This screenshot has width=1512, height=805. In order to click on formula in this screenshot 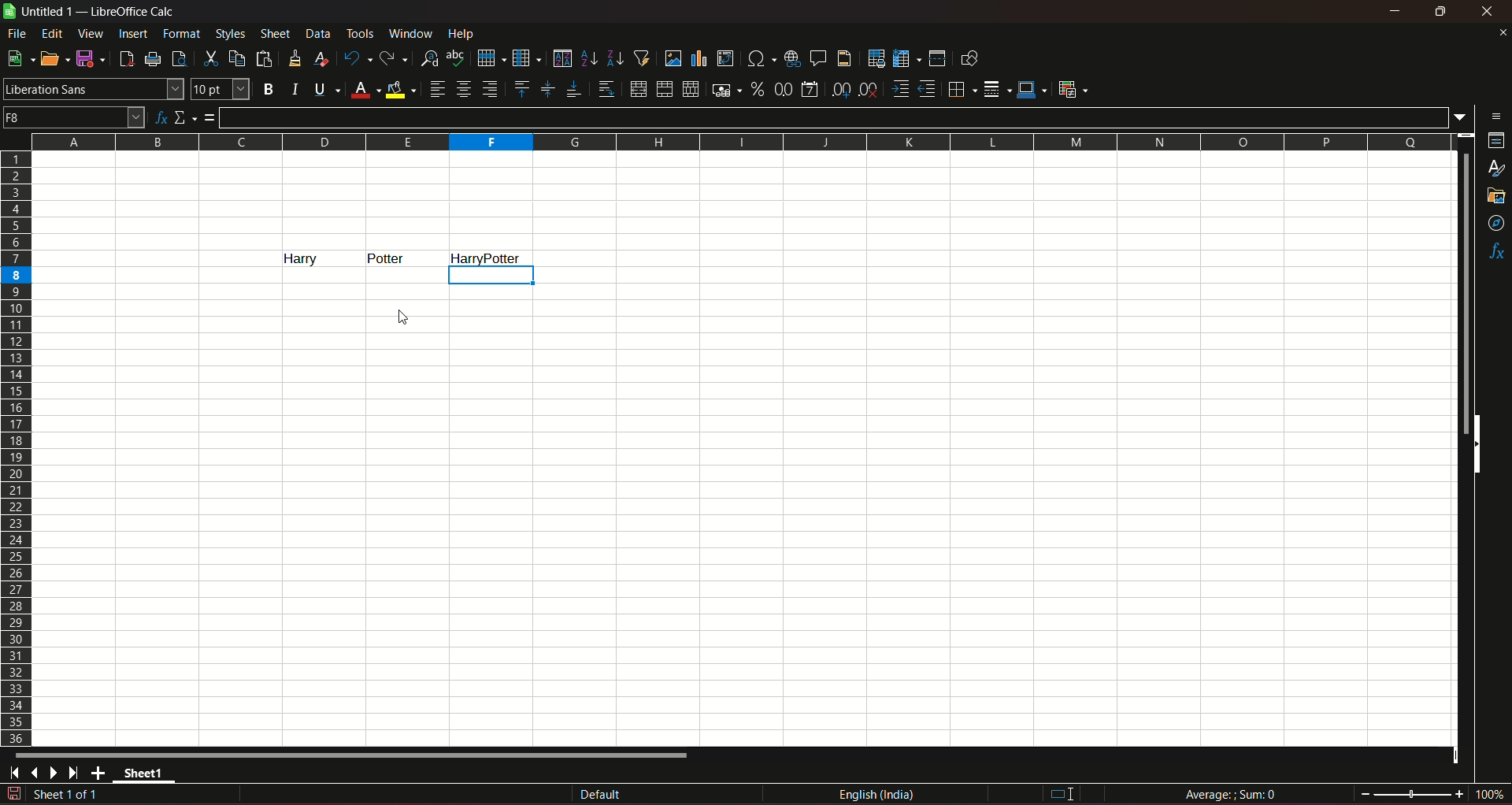, I will do `click(1233, 794)`.